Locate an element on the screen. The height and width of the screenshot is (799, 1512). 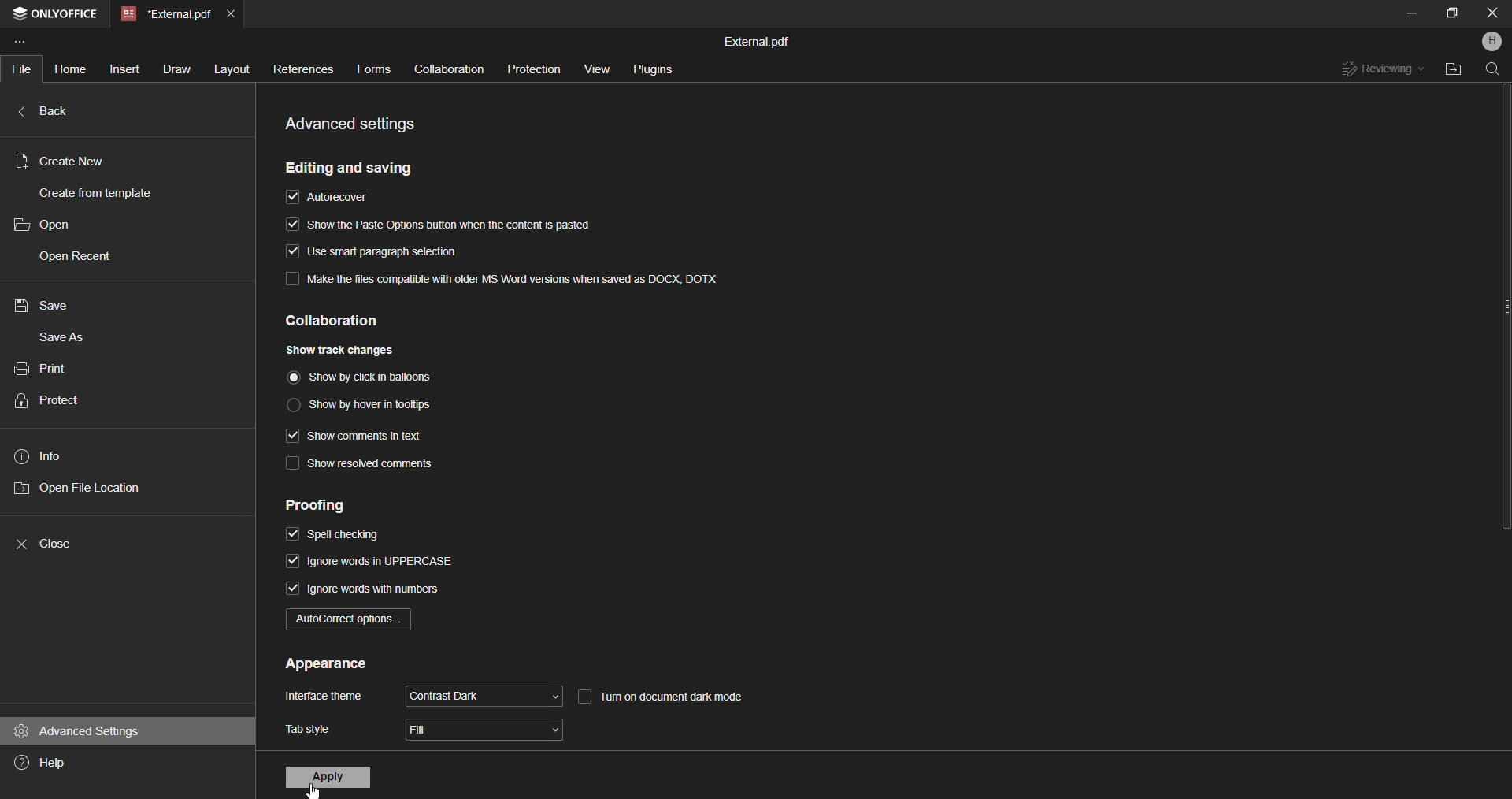
open is located at coordinates (52, 225).